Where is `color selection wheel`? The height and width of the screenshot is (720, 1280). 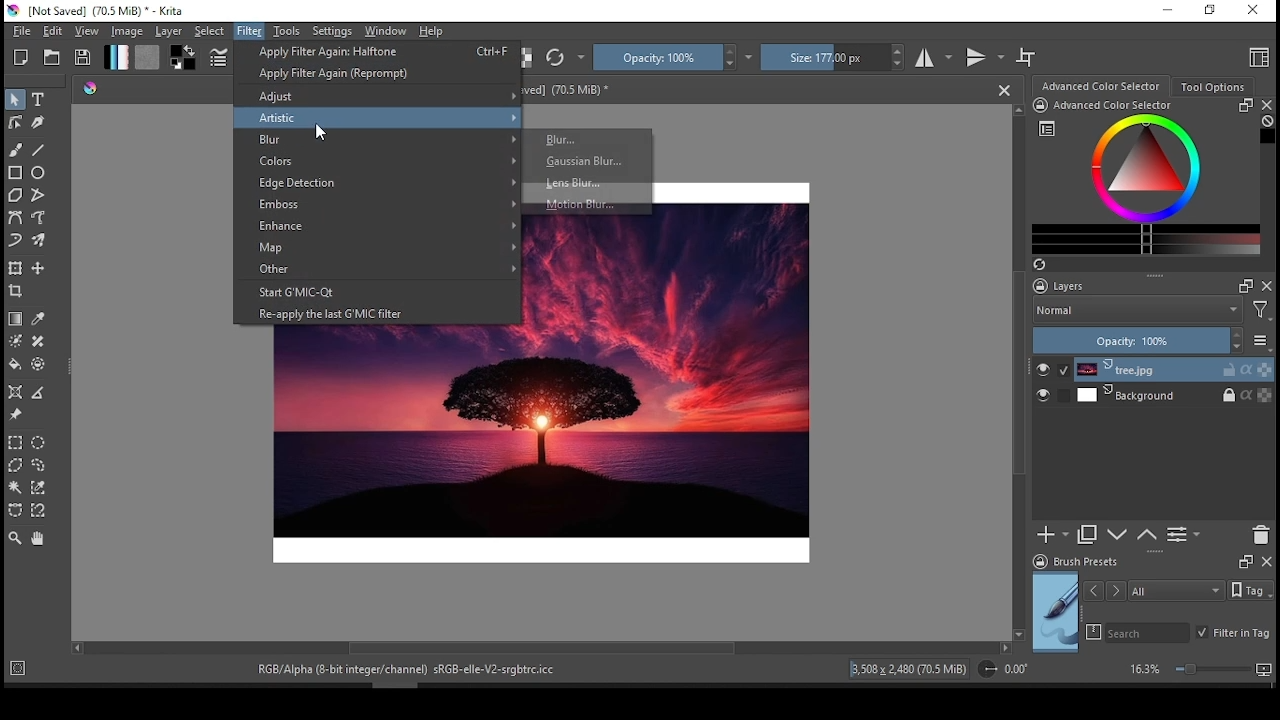 color selection wheel is located at coordinates (1102, 85).